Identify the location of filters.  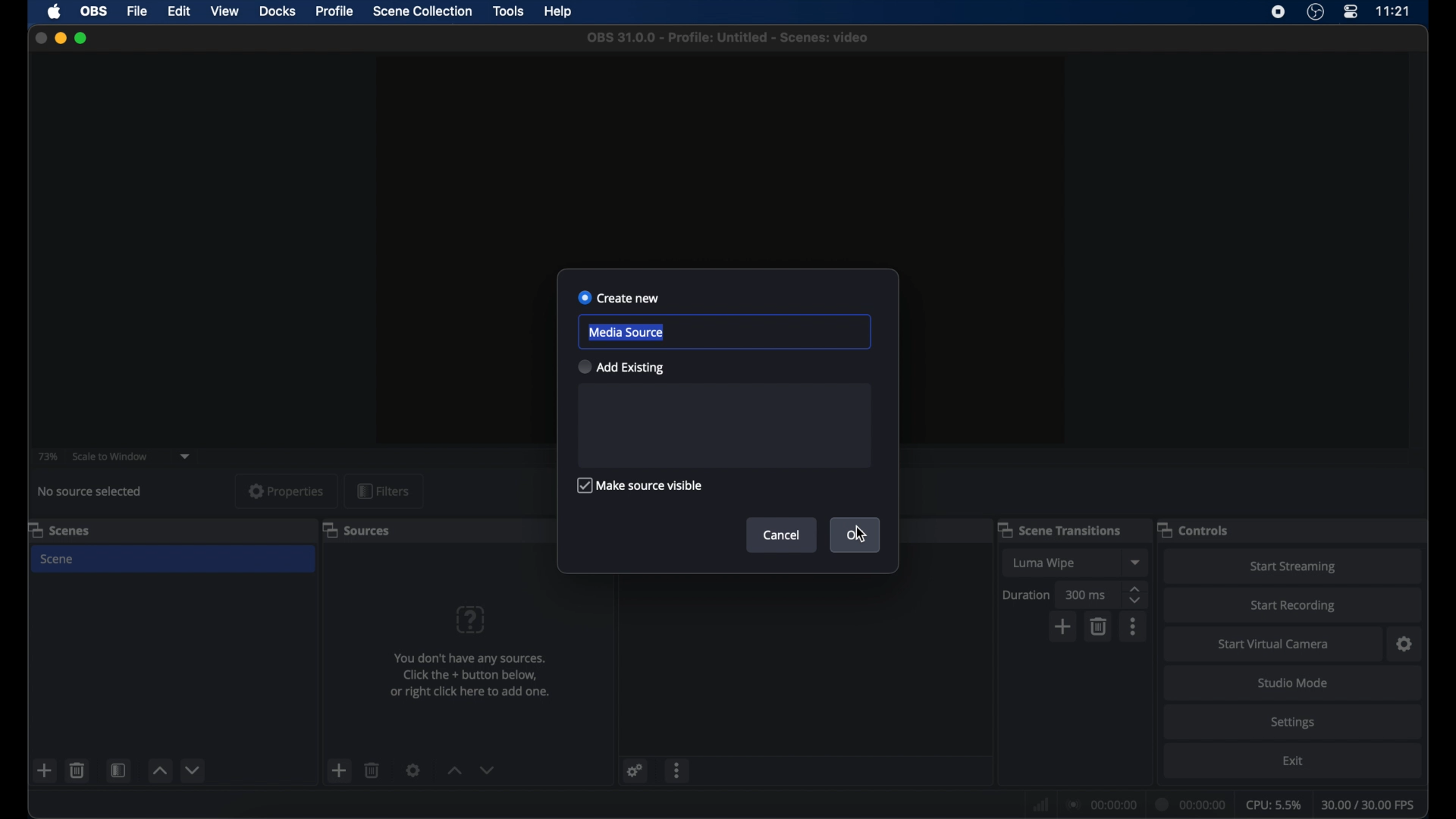
(383, 491).